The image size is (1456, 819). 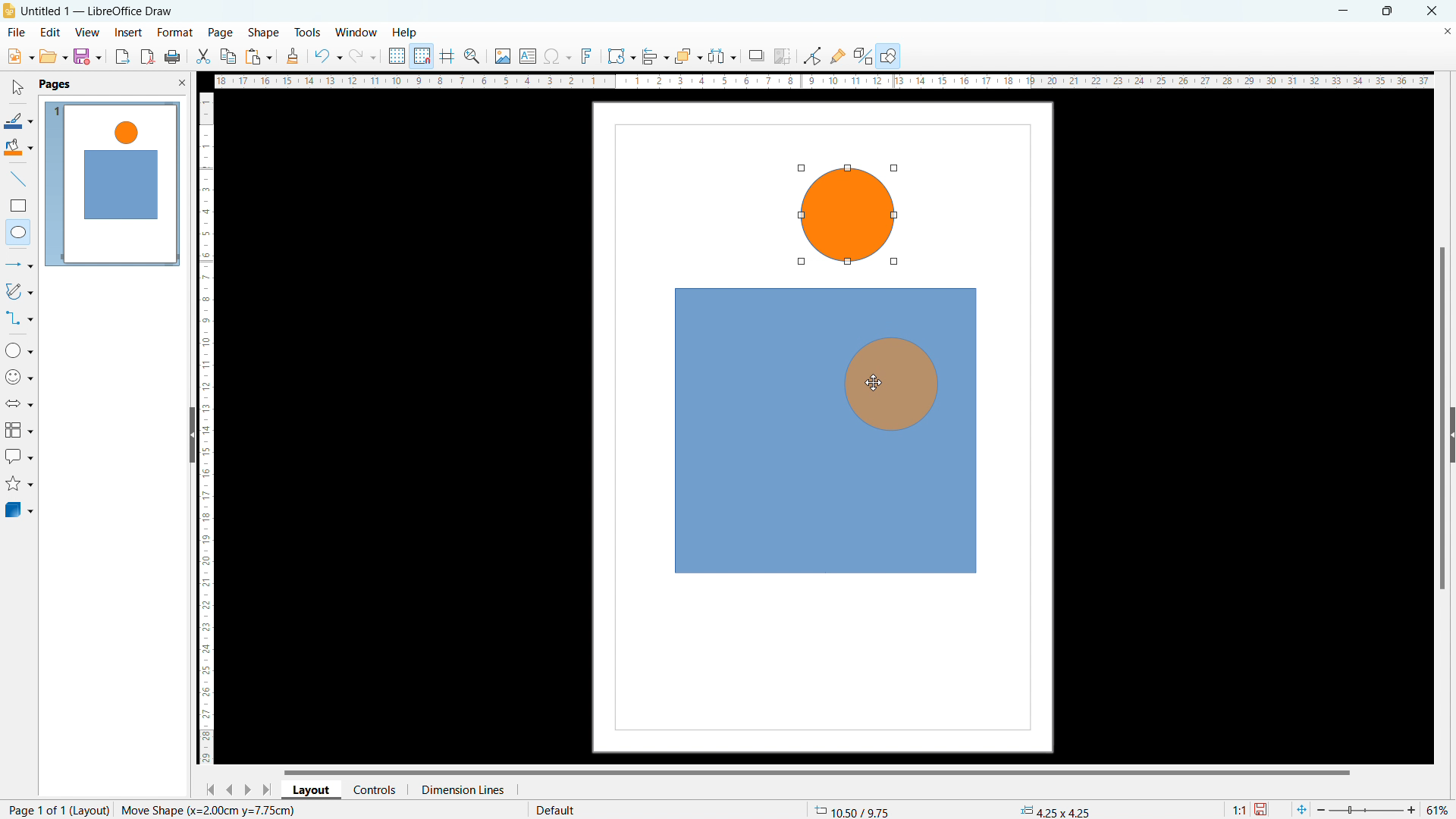 What do you see at coordinates (1263, 810) in the screenshot?
I see `save` at bounding box center [1263, 810].